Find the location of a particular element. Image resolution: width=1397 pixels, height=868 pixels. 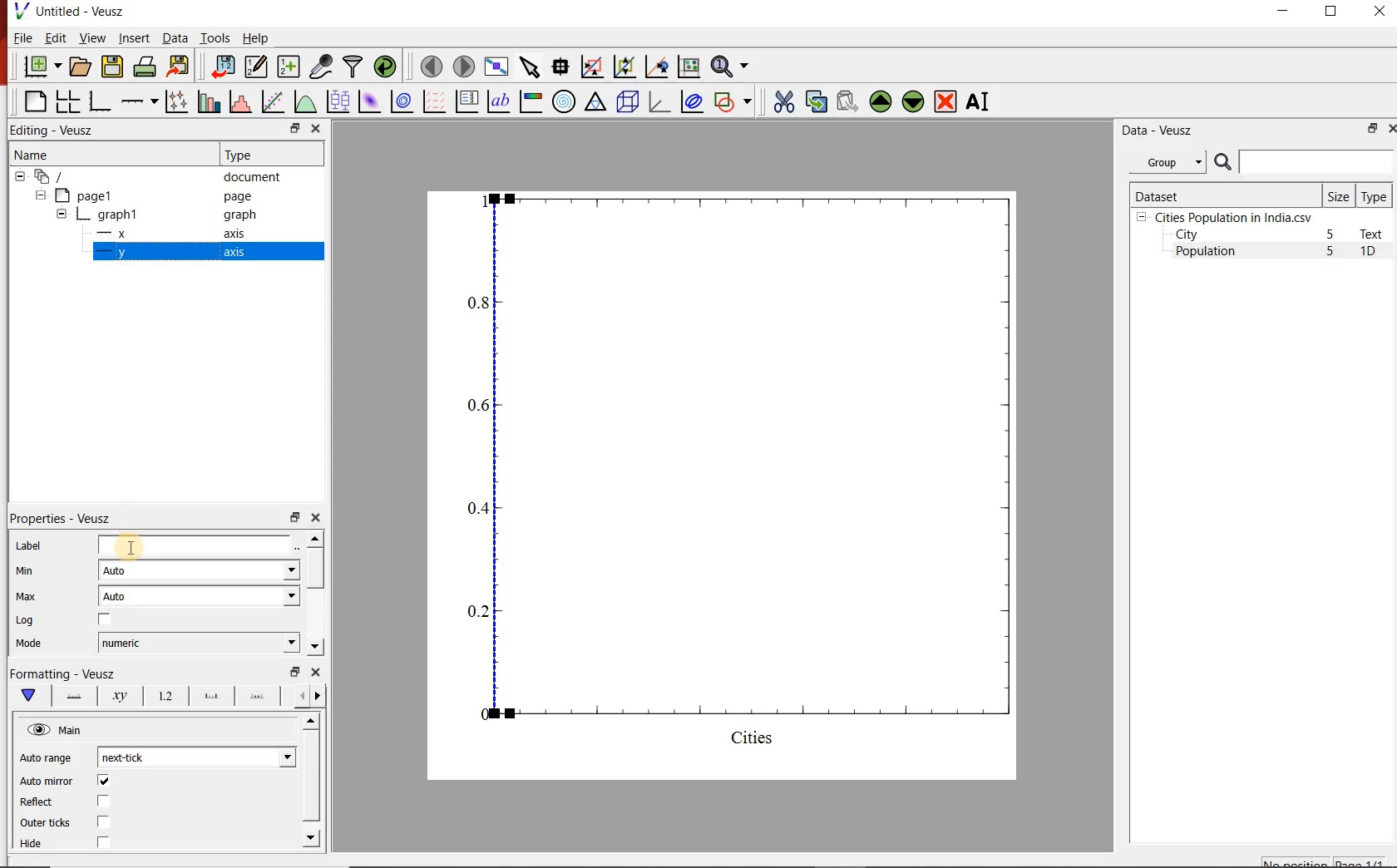

restore is located at coordinates (294, 672).